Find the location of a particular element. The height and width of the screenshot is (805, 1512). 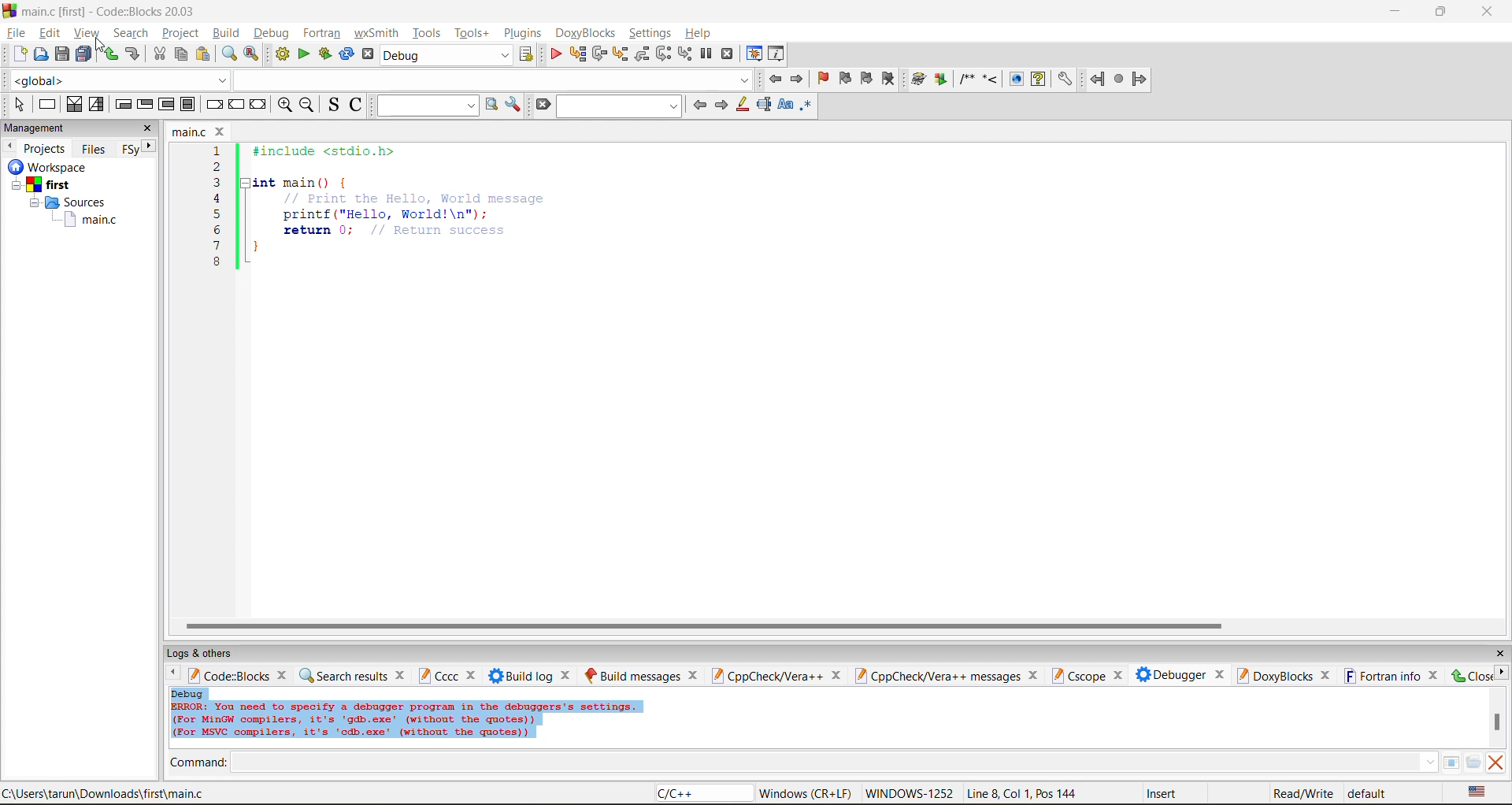

plugins is located at coordinates (523, 32).